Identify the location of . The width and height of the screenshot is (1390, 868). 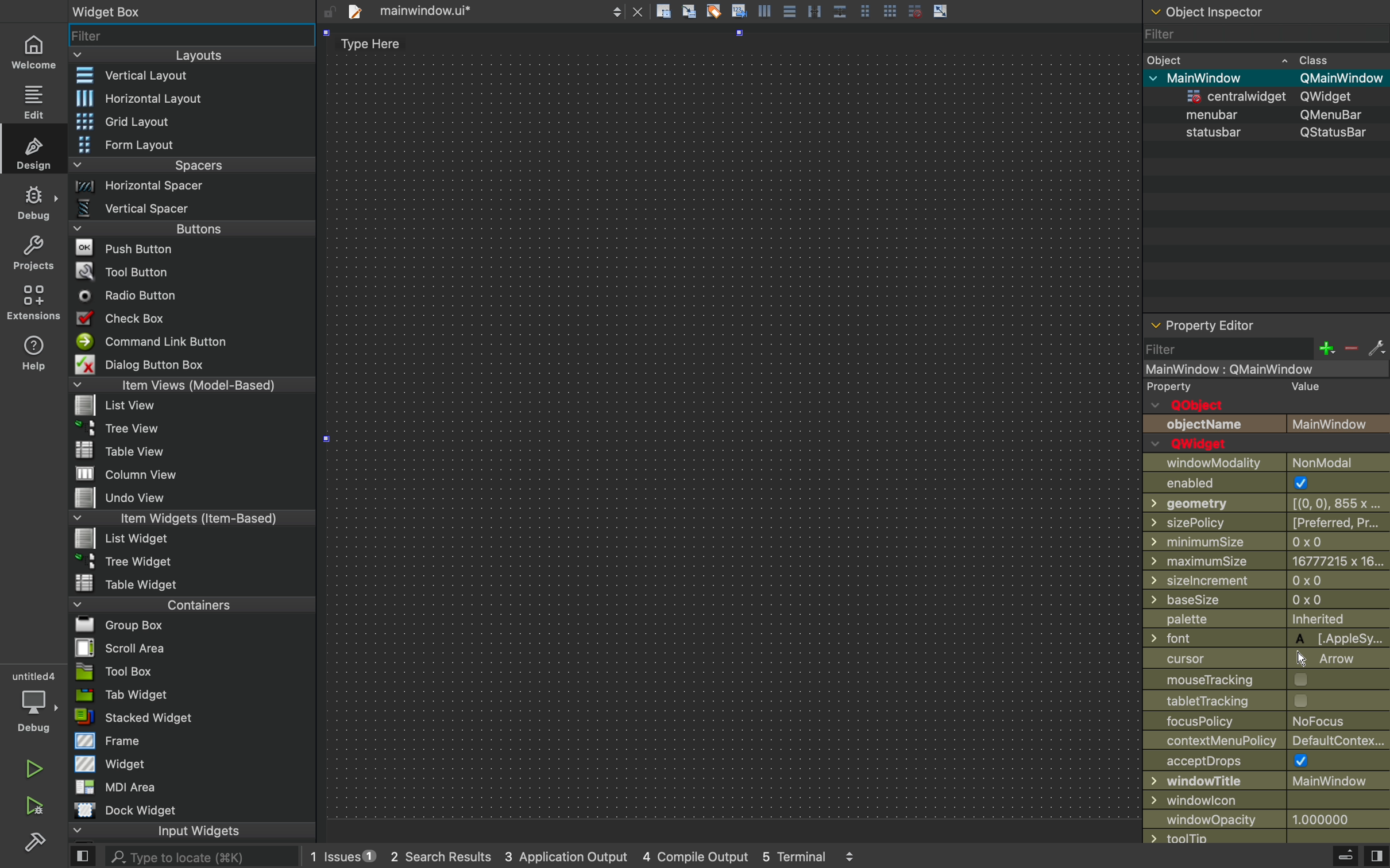
(87, 855).